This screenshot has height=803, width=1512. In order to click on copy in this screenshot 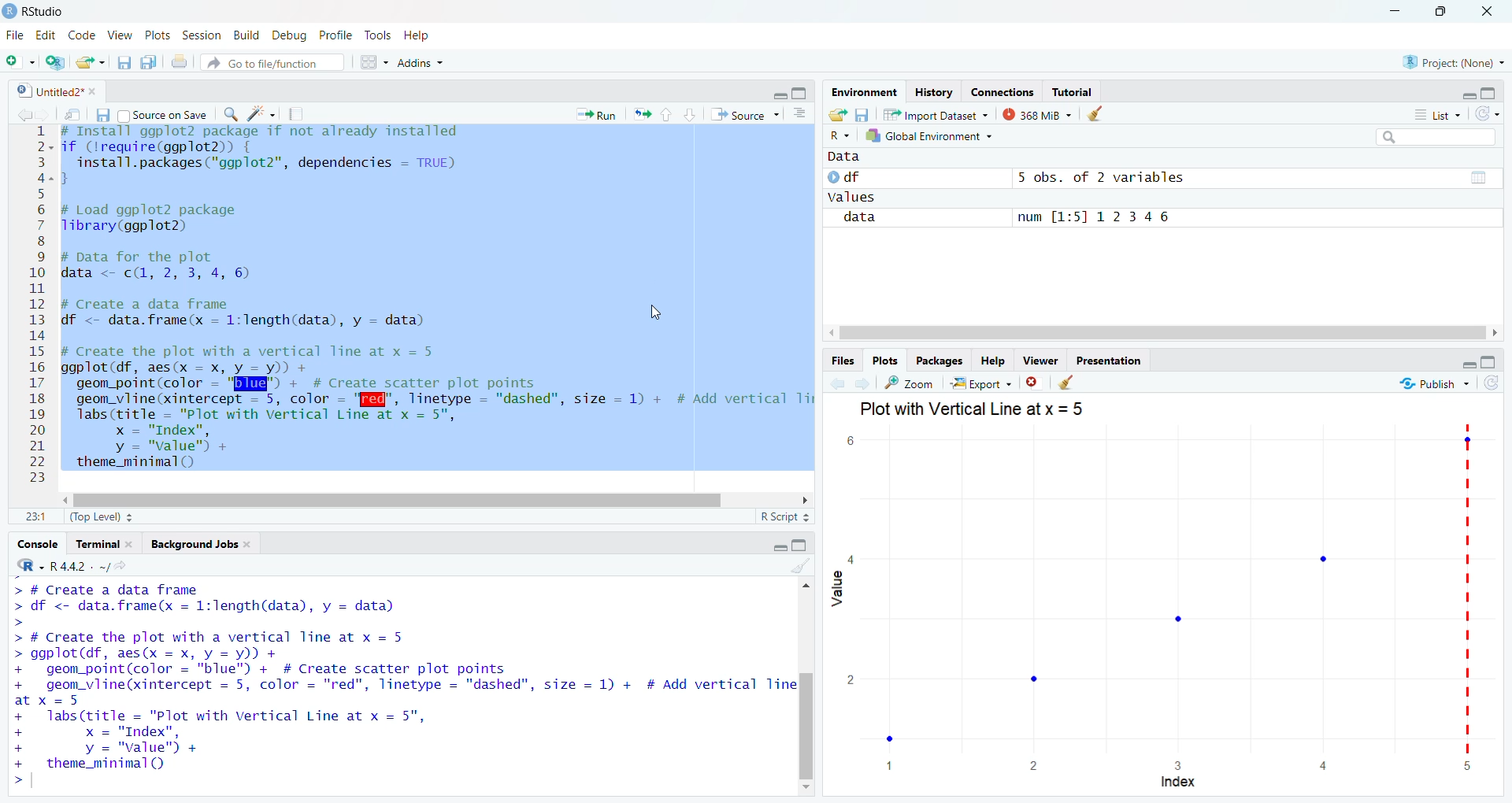, I will do `click(148, 64)`.